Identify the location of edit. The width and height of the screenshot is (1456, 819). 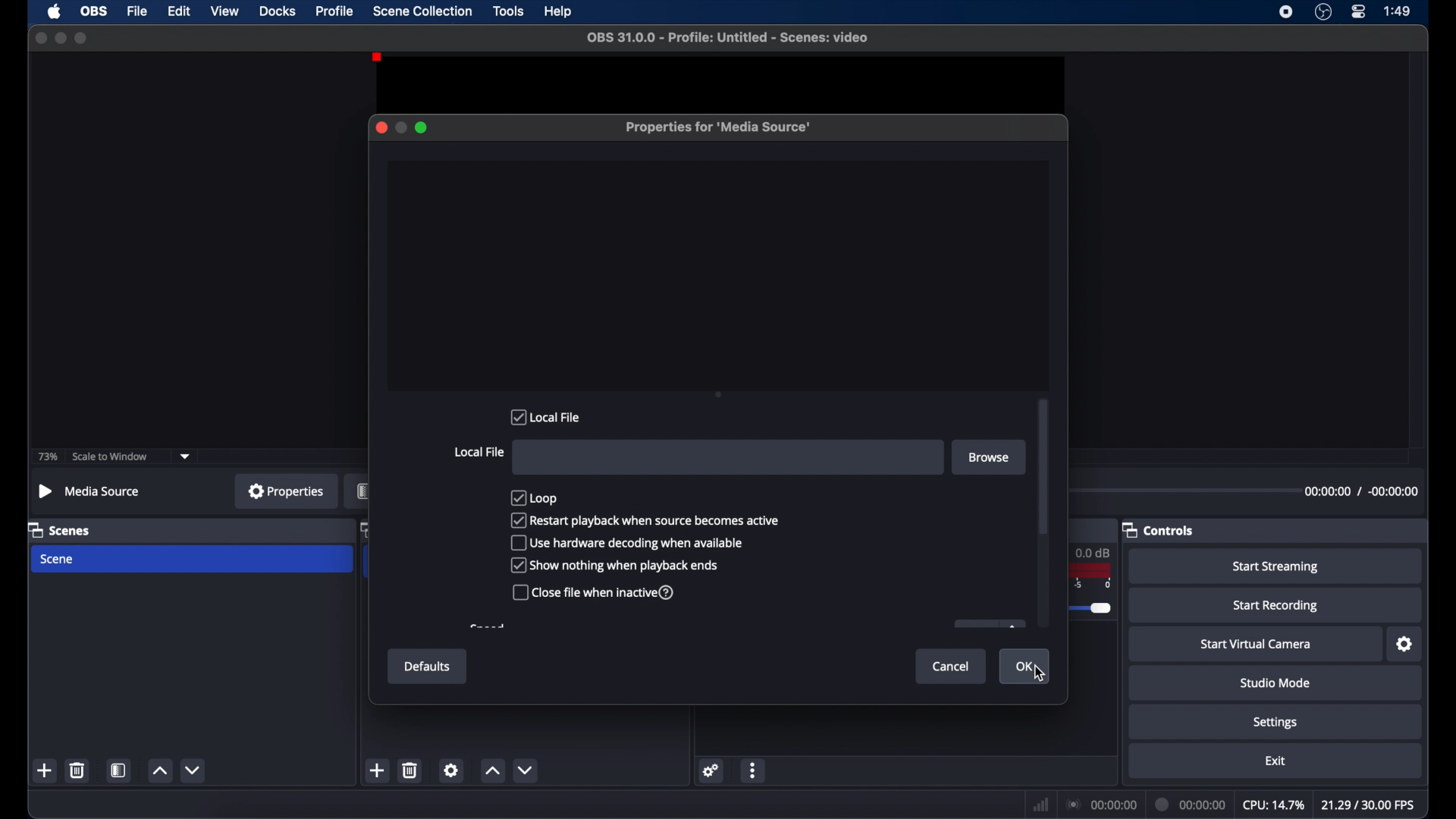
(178, 11).